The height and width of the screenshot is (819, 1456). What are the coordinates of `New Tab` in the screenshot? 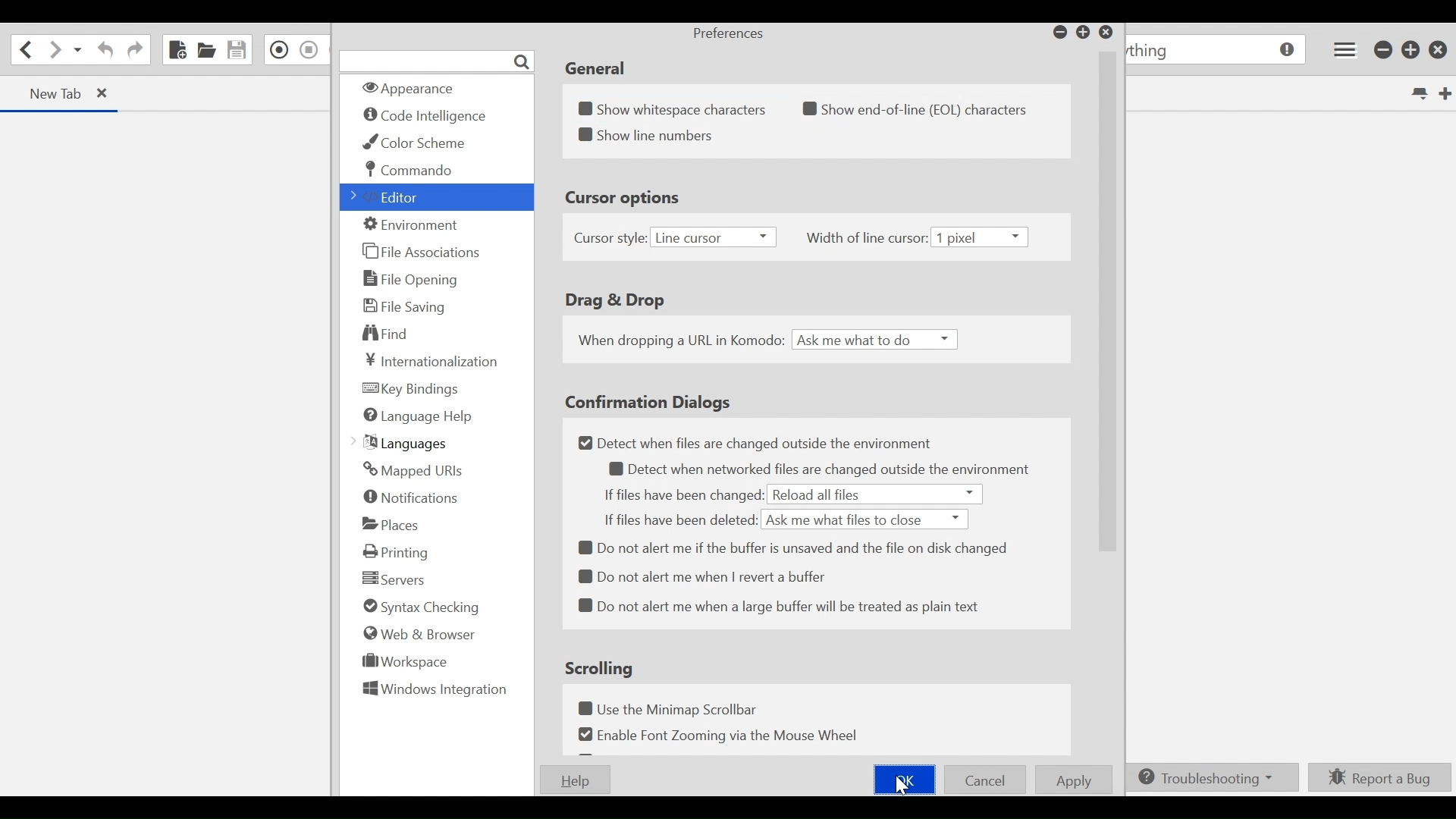 It's located at (1445, 92).